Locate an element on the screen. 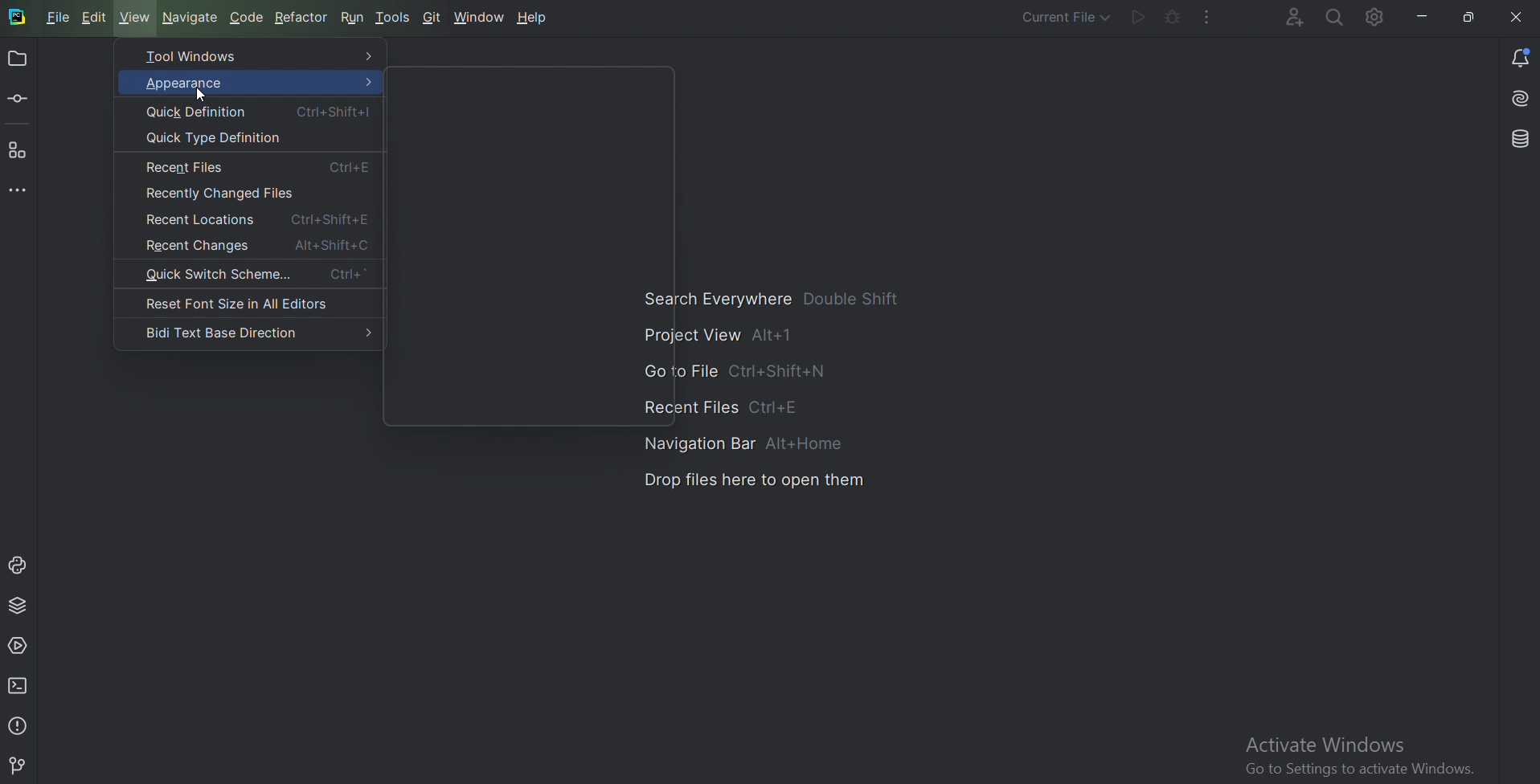 This screenshot has width=1540, height=784. Terminal is located at coordinates (21, 685).